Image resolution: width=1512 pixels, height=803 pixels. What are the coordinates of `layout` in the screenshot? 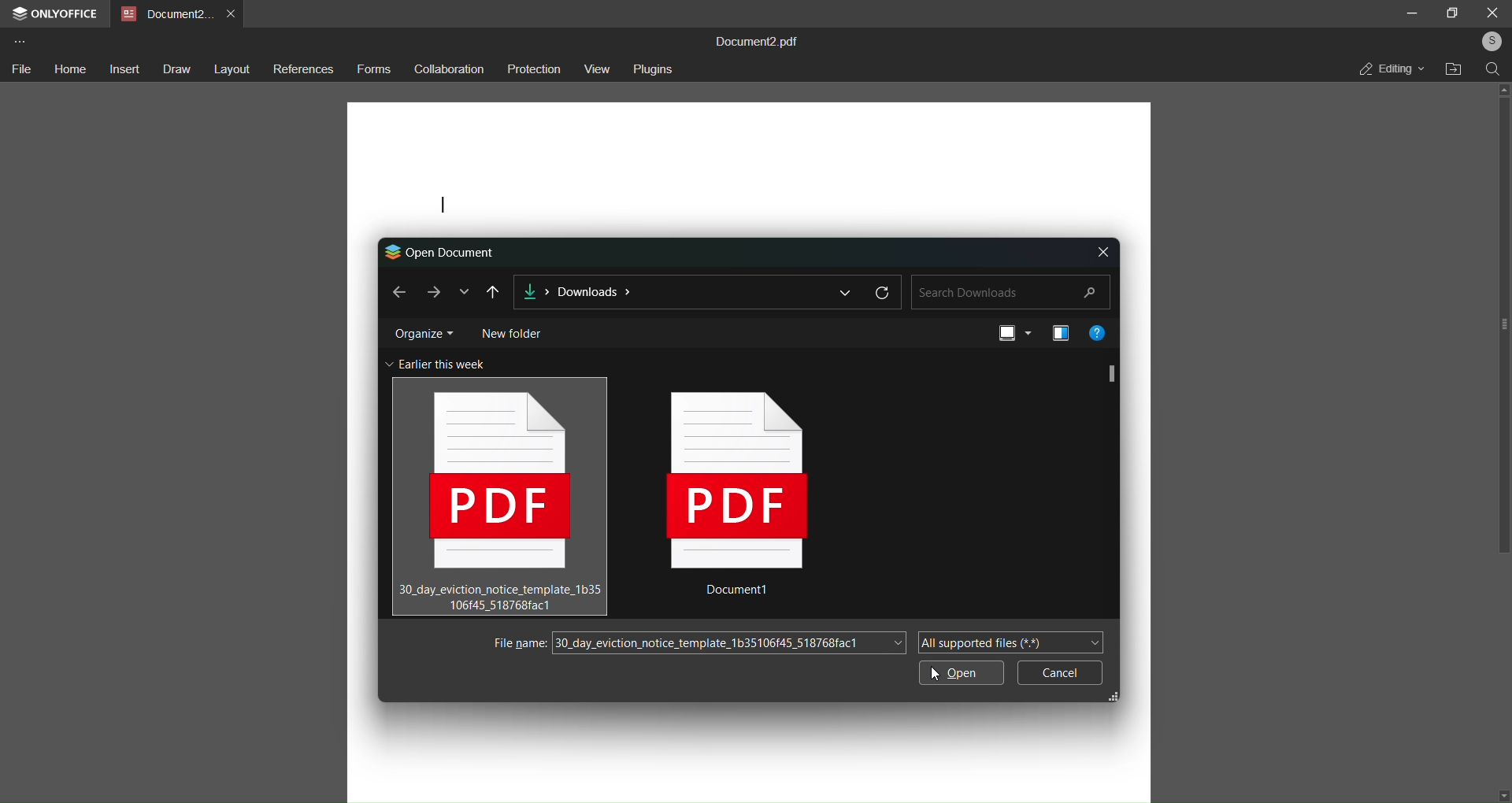 It's located at (232, 70).